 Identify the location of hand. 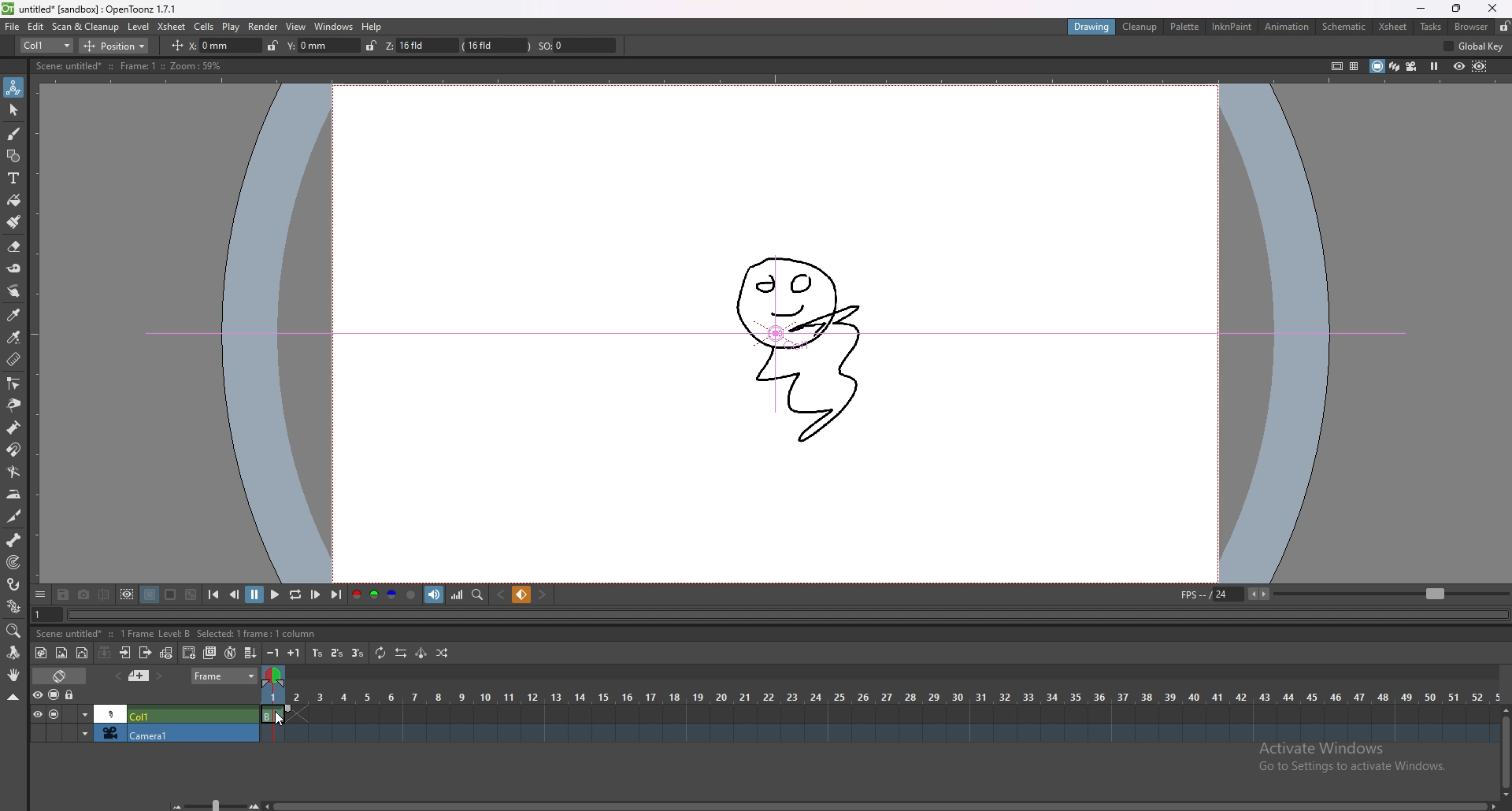
(14, 675).